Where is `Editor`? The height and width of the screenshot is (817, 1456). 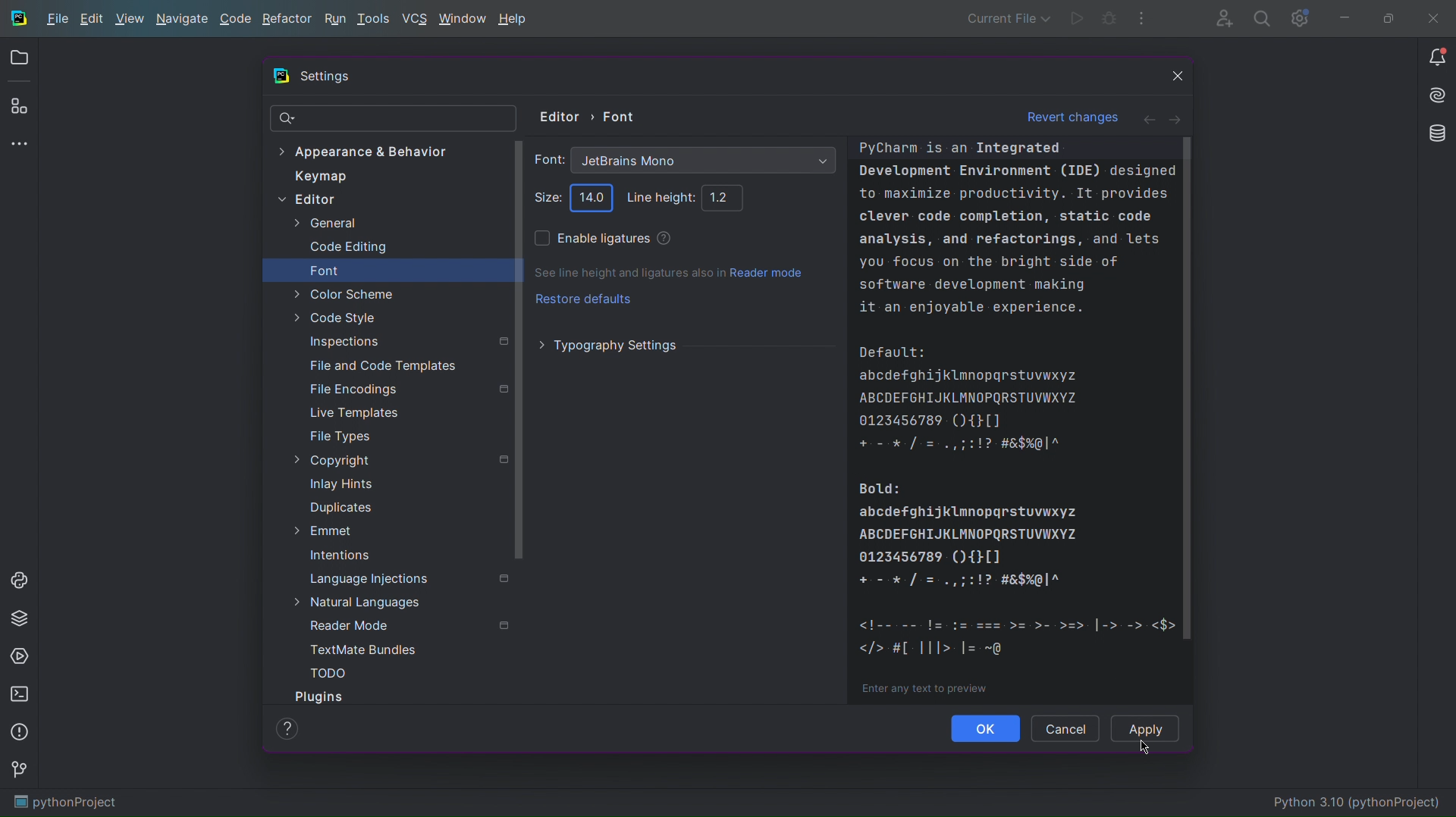 Editor is located at coordinates (306, 199).